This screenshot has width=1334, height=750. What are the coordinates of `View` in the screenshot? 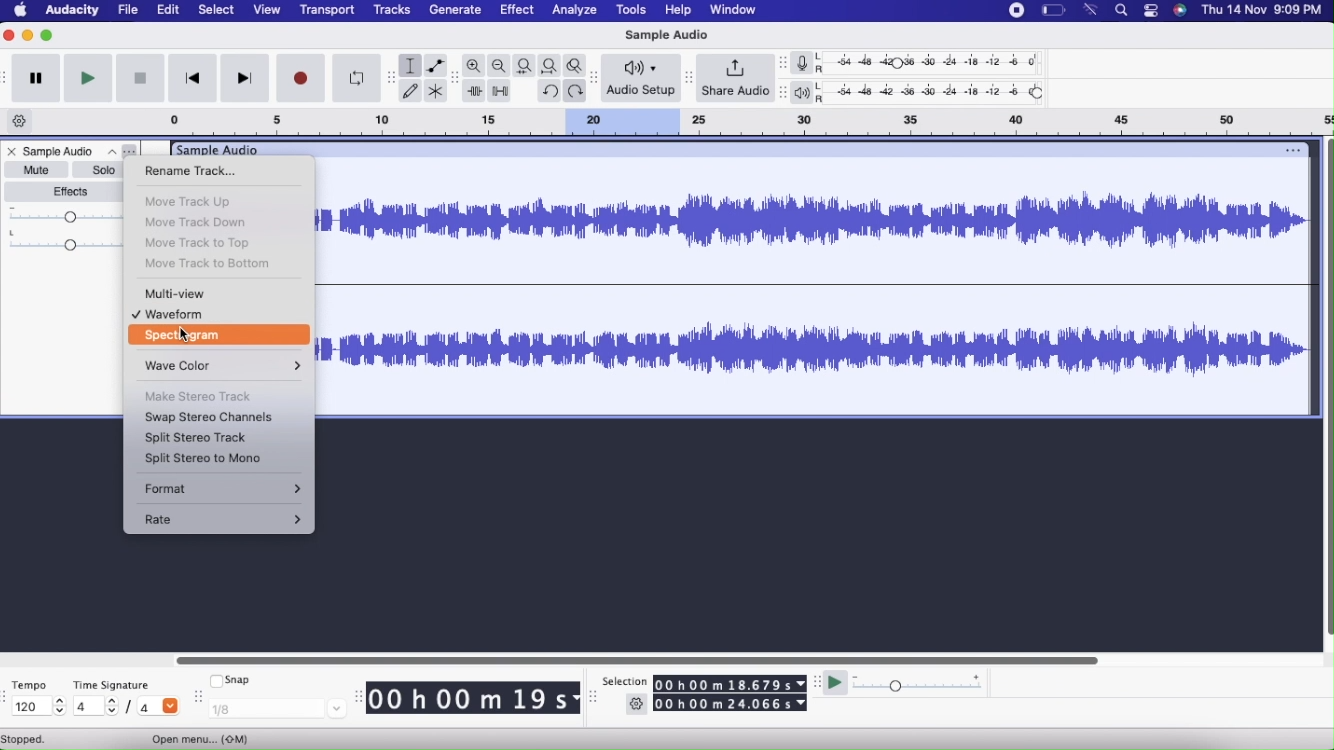 It's located at (267, 10).